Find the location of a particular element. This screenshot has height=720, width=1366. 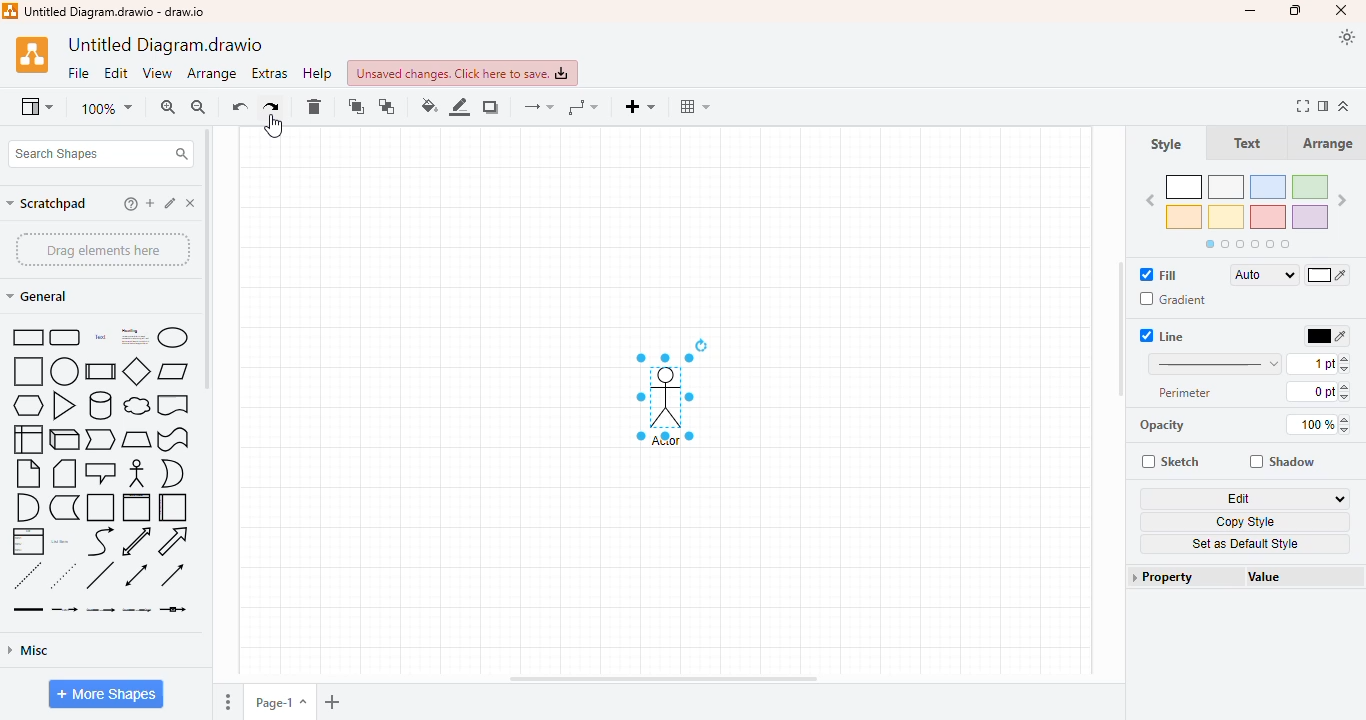

insert is located at coordinates (639, 106).